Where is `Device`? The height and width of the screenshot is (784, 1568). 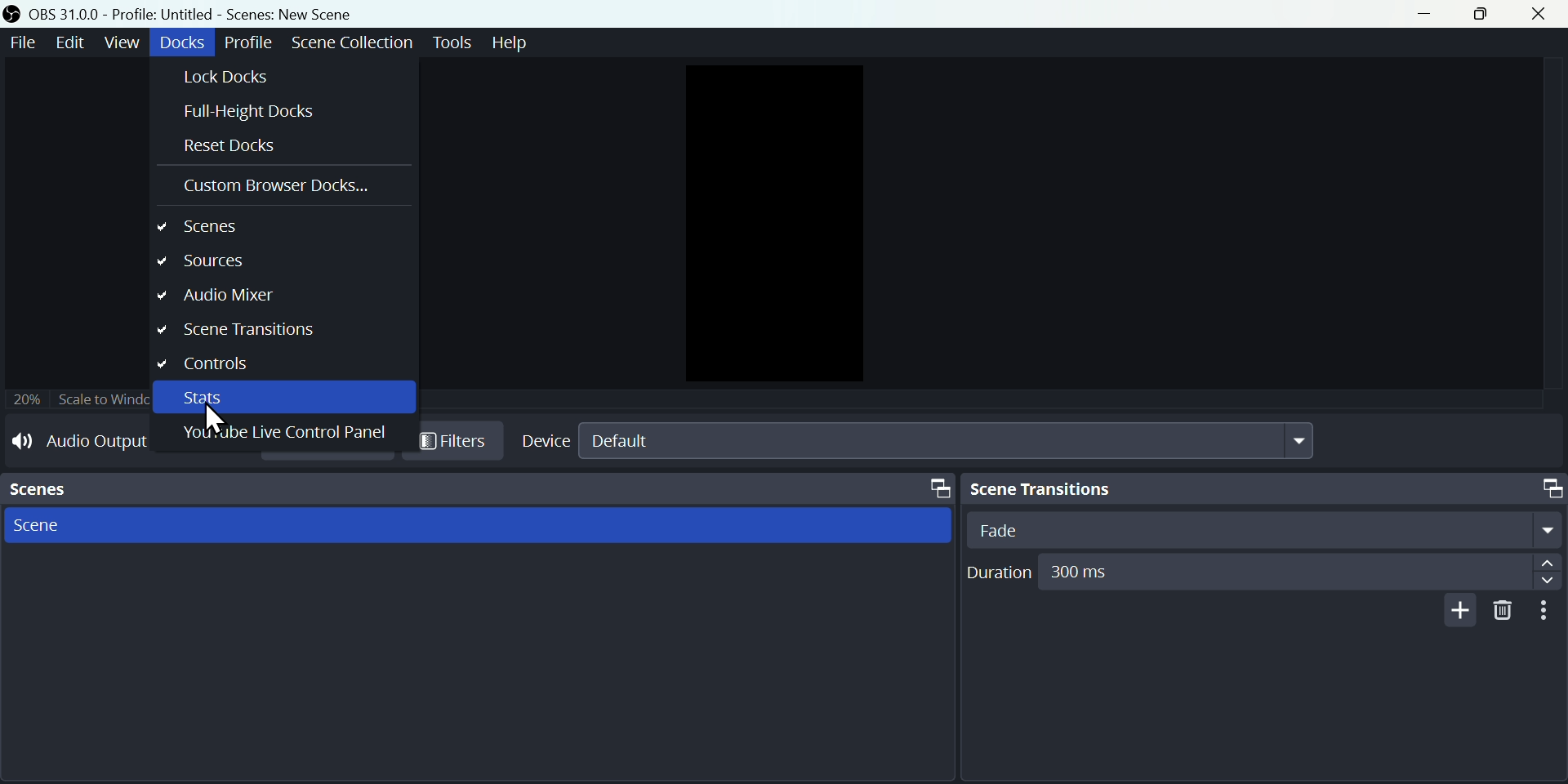 Device is located at coordinates (543, 440).